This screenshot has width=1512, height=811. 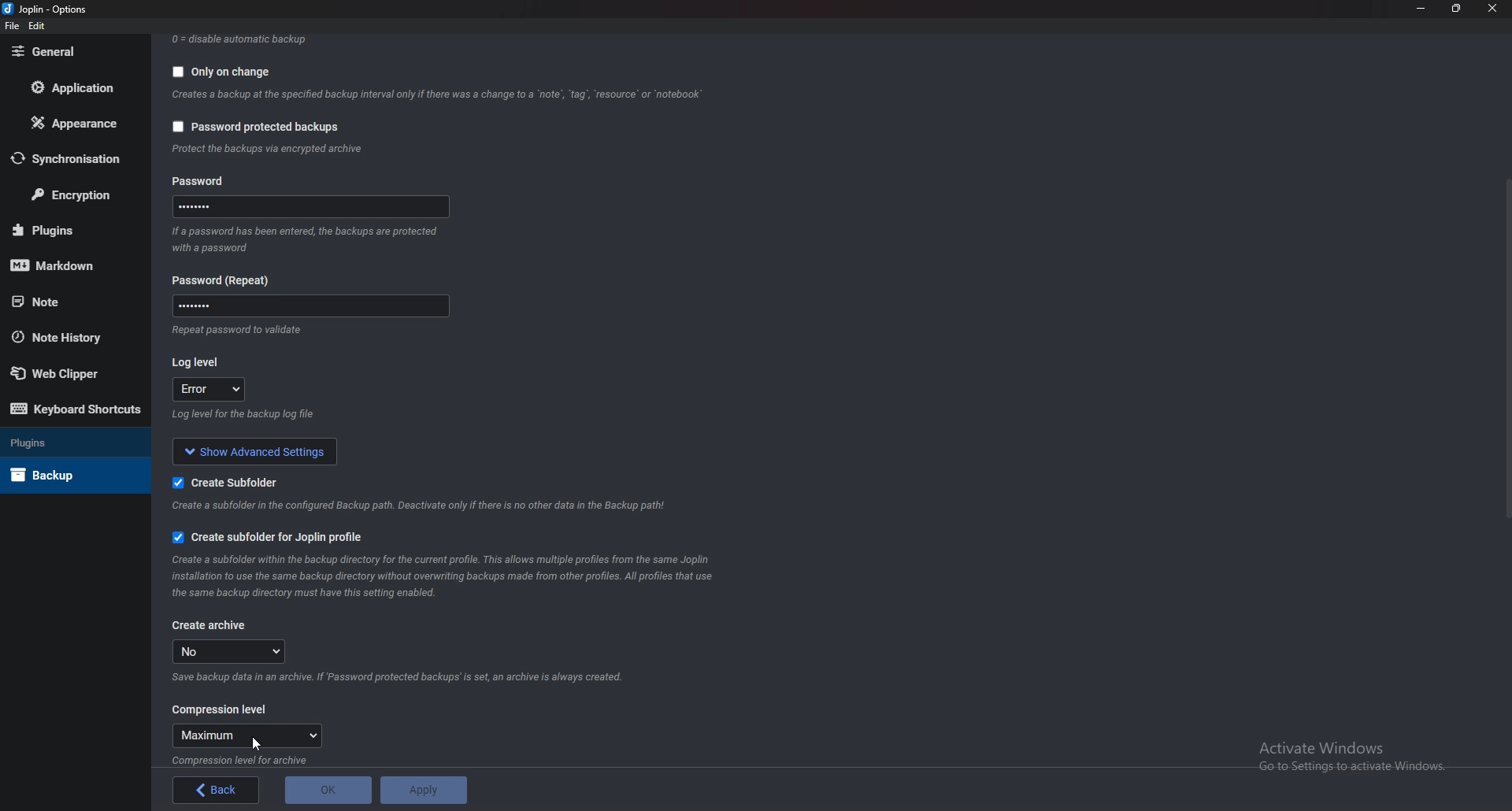 I want to click on Info backup on change, so click(x=439, y=95).